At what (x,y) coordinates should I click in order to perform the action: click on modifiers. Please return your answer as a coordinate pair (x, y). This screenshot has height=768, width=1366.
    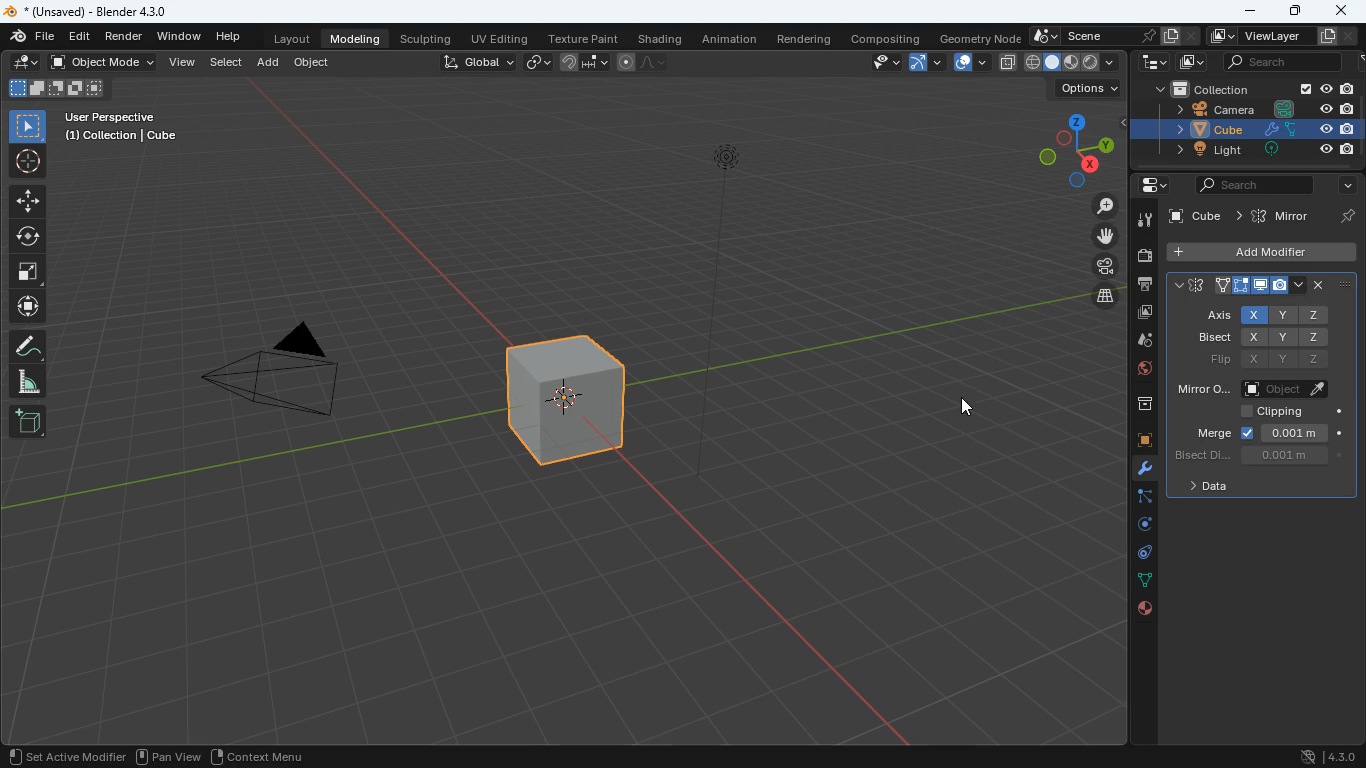
    Looking at the image, I should click on (1141, 471).